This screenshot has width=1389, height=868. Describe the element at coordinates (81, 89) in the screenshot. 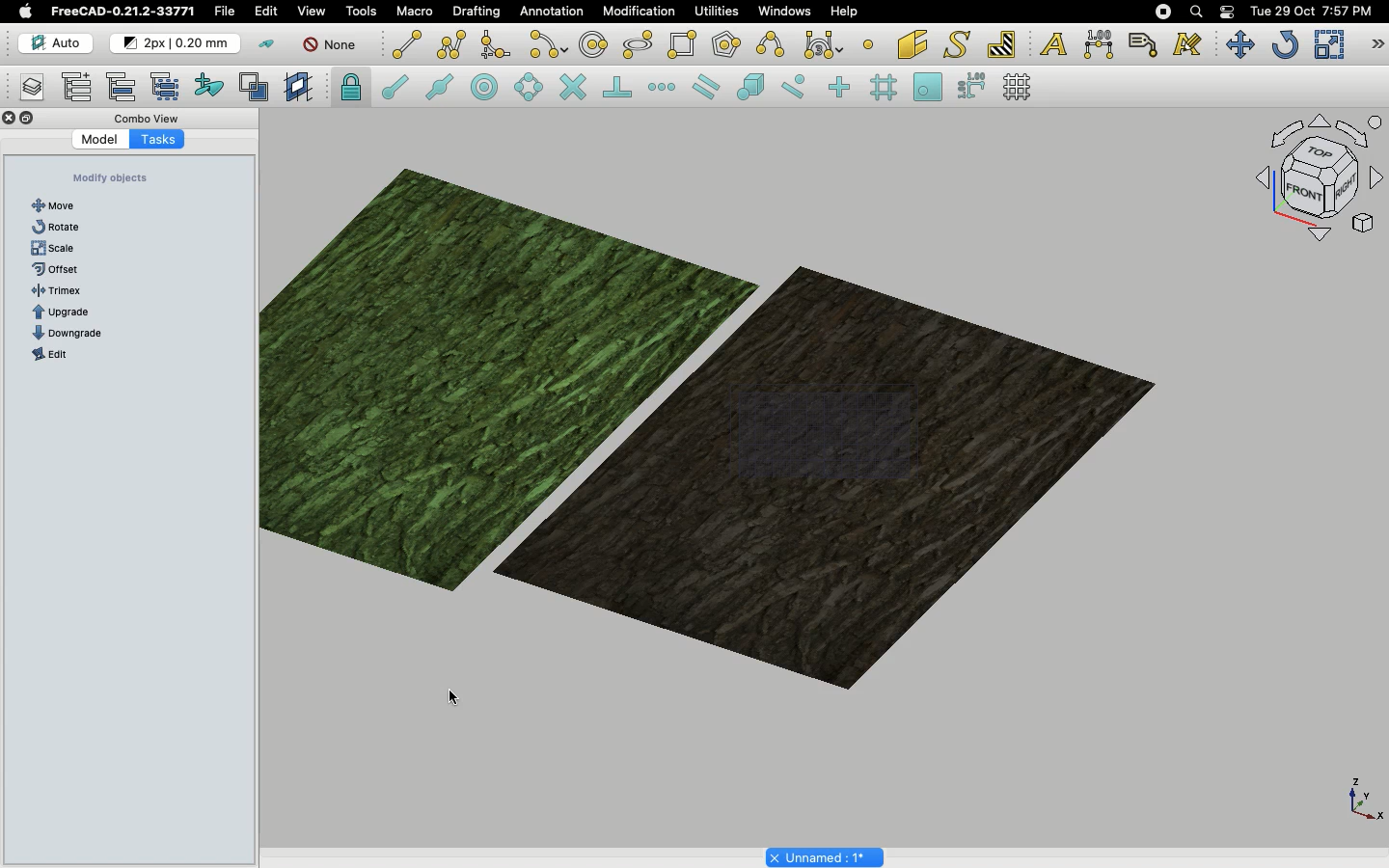

I see `Add new named group` at that location.